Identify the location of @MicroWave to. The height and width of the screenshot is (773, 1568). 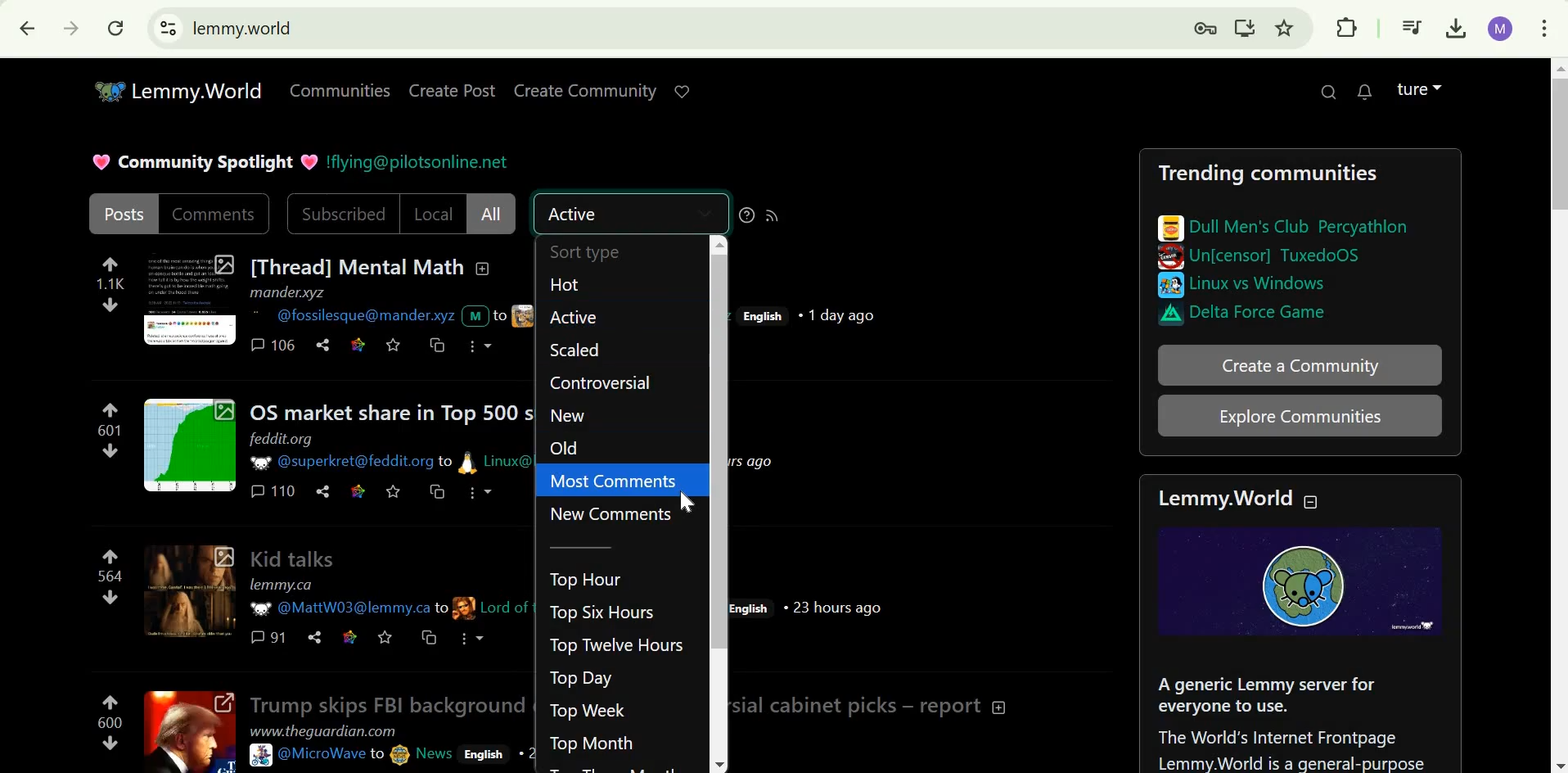
(332, 753).